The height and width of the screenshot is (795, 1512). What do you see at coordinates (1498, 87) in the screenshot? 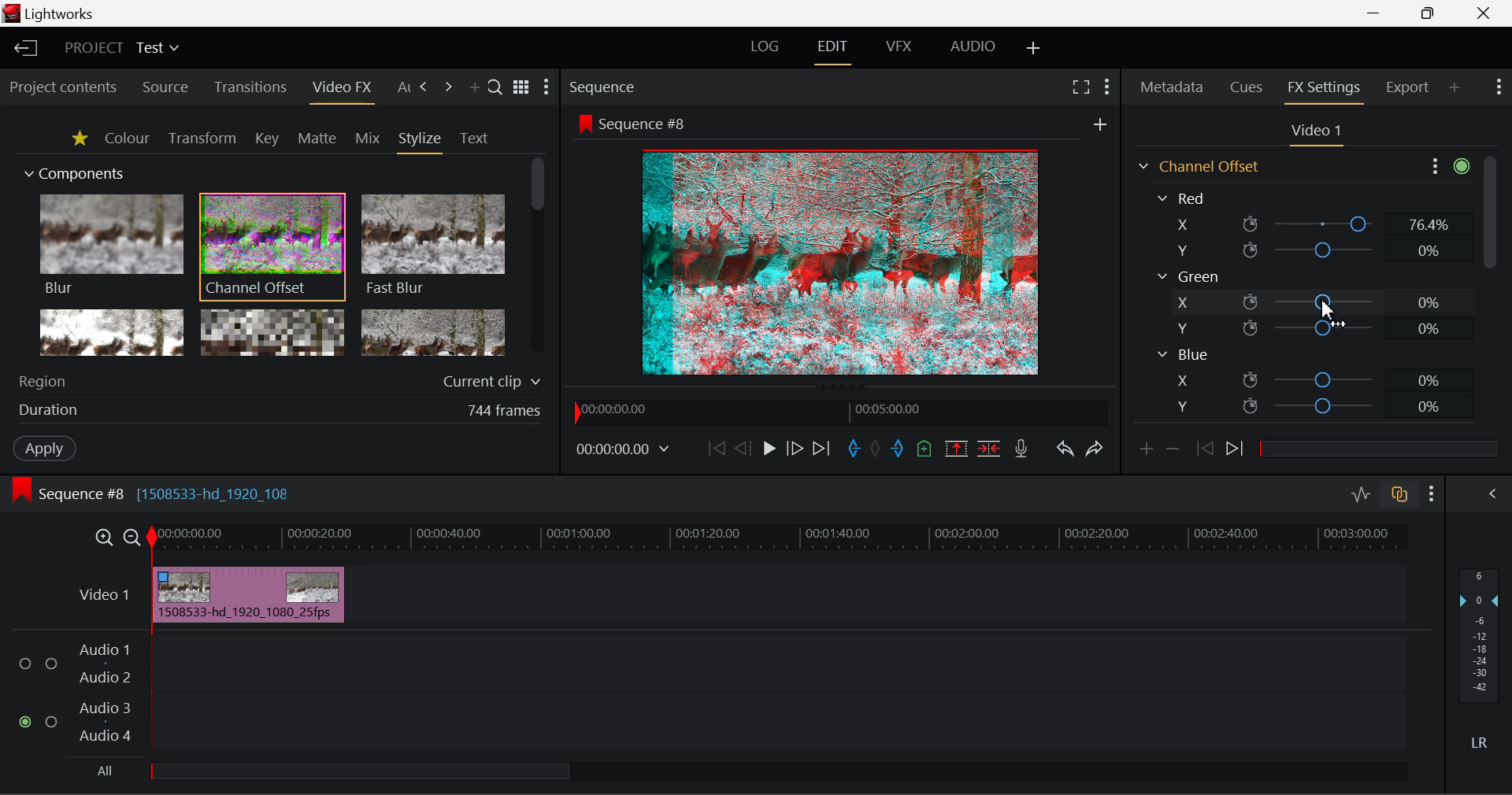
I see `Show Settings` at bounding box center [1498, 87].